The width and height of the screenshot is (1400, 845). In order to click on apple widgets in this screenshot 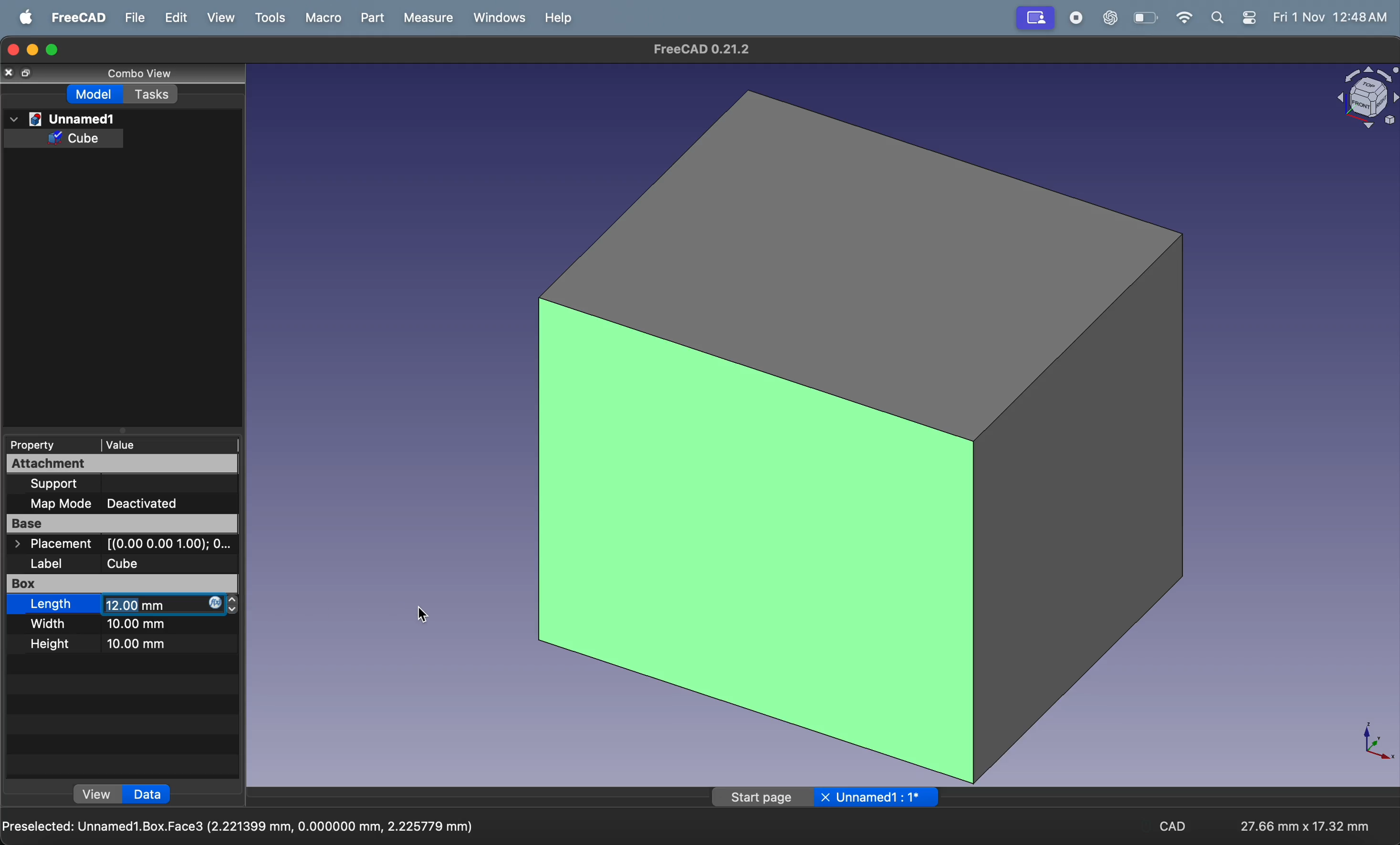, I will do `click(1235, 19)`.